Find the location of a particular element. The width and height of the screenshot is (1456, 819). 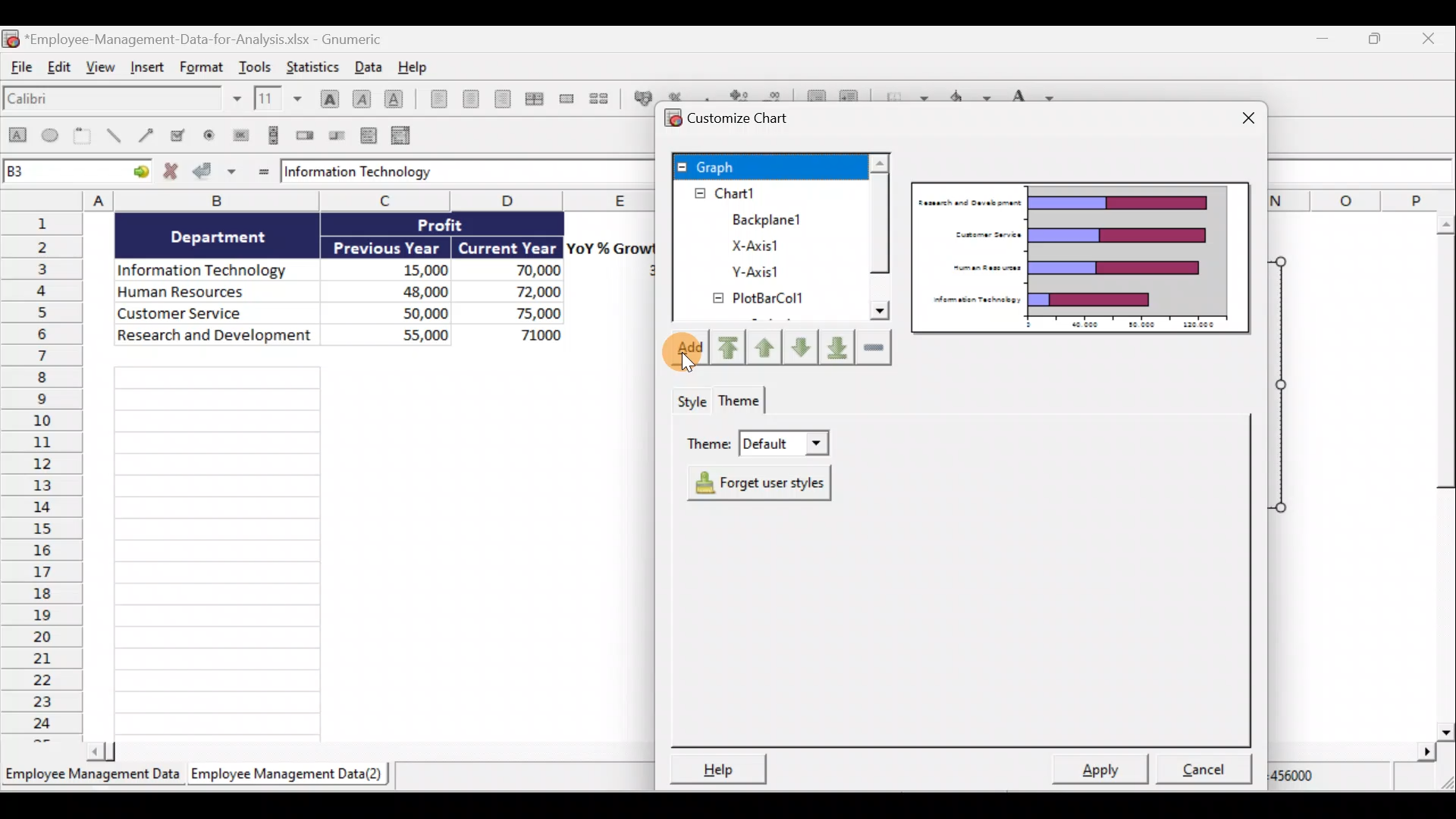

Chart is located at coordinates (761, 193).